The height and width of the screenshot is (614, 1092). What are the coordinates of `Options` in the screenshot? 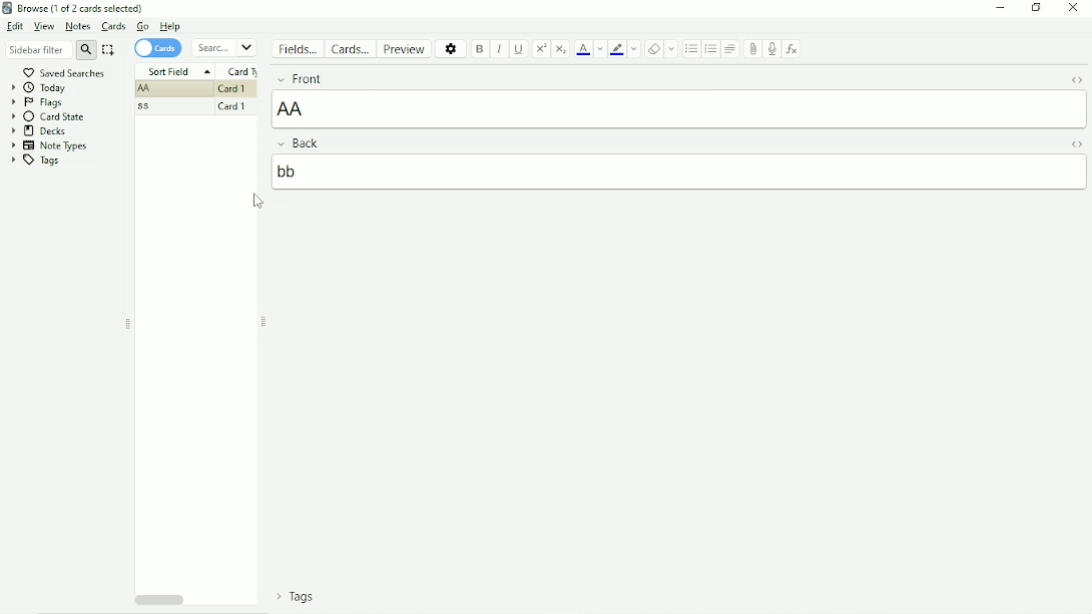 It's located at (452, 48).